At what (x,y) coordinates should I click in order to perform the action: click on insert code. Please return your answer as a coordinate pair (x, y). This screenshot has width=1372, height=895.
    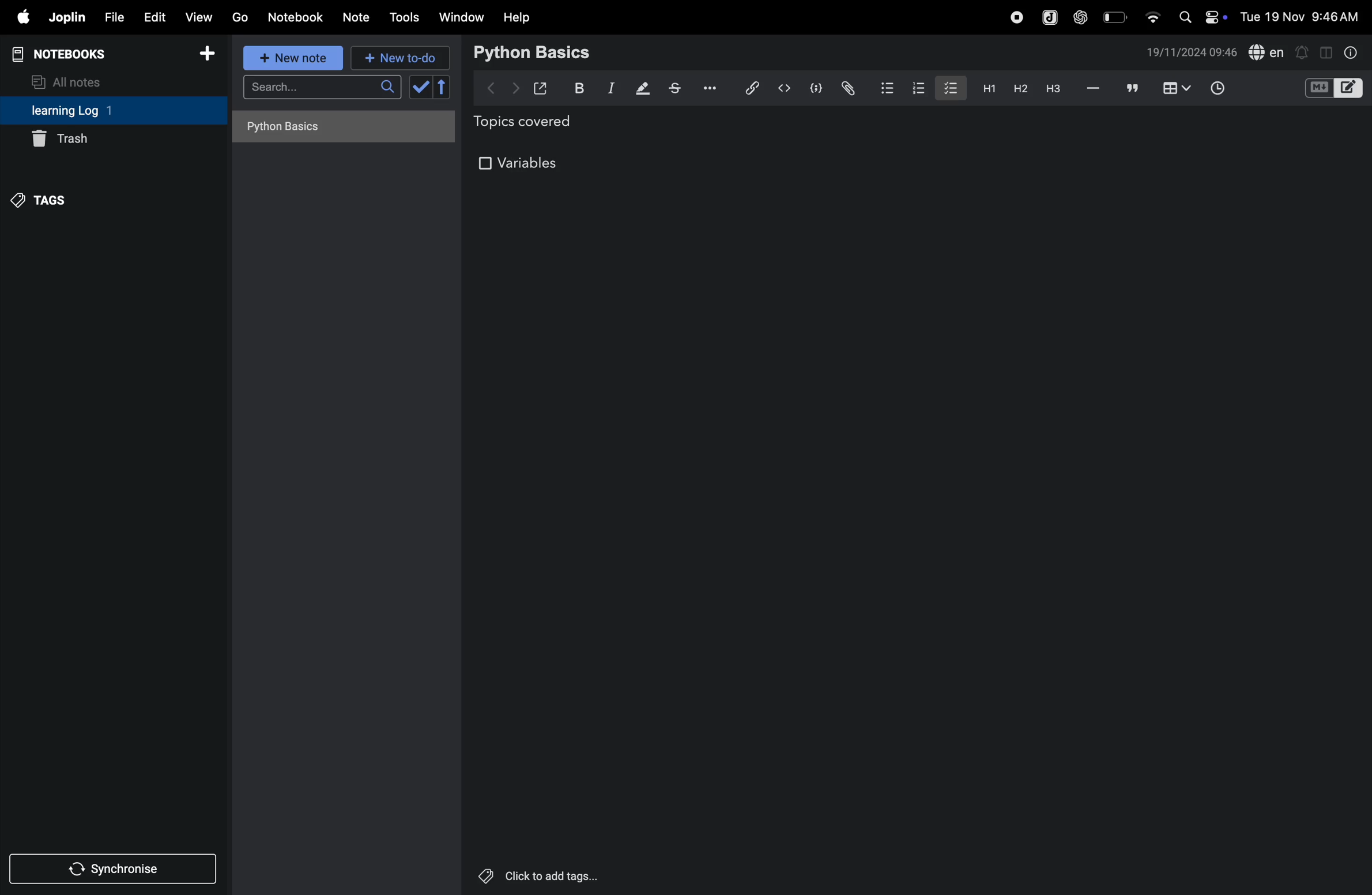
    Looking at the image, I should click on (785, 88).